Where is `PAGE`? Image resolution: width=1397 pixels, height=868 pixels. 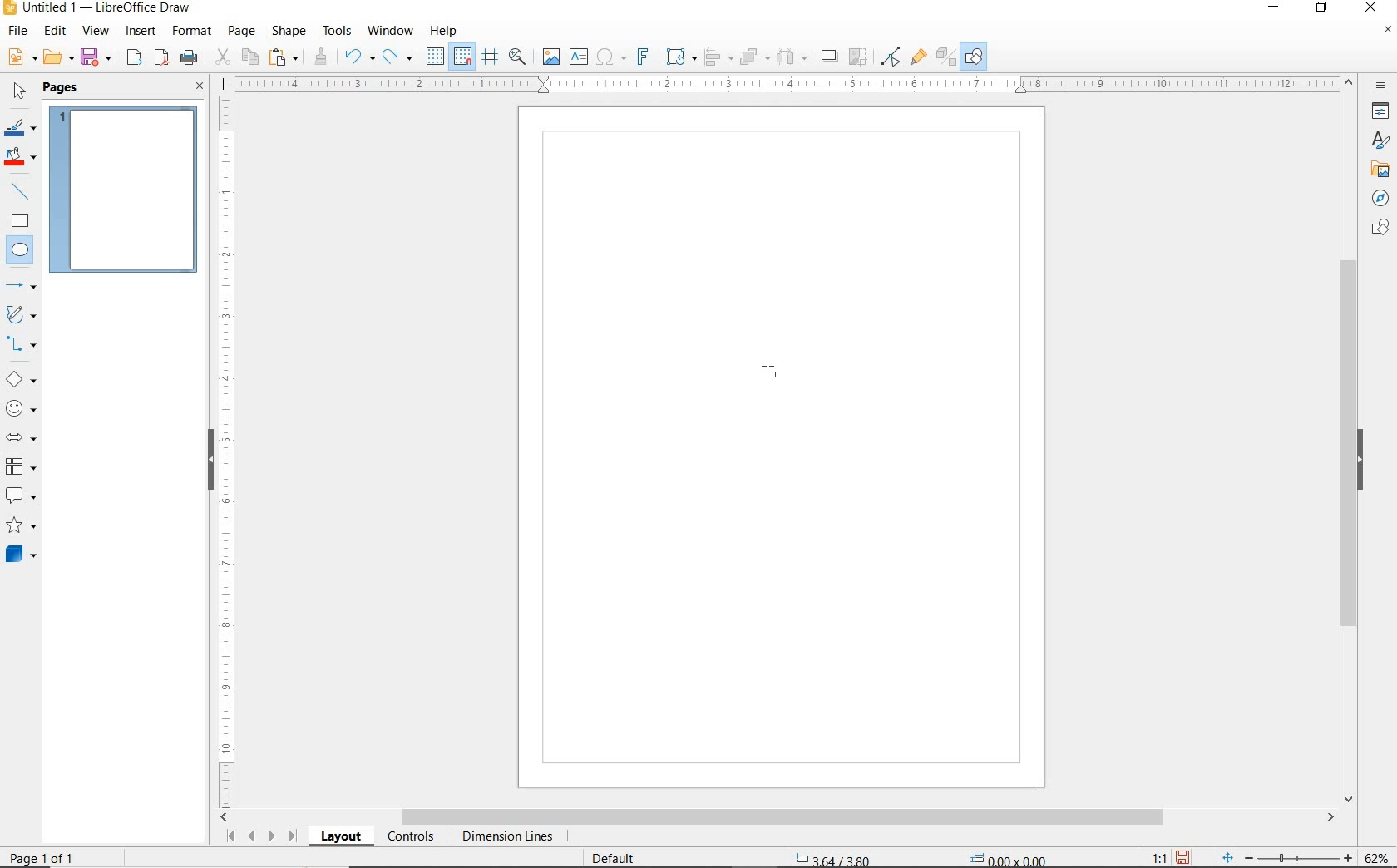 PAGE is located at coordinates (241, 31).